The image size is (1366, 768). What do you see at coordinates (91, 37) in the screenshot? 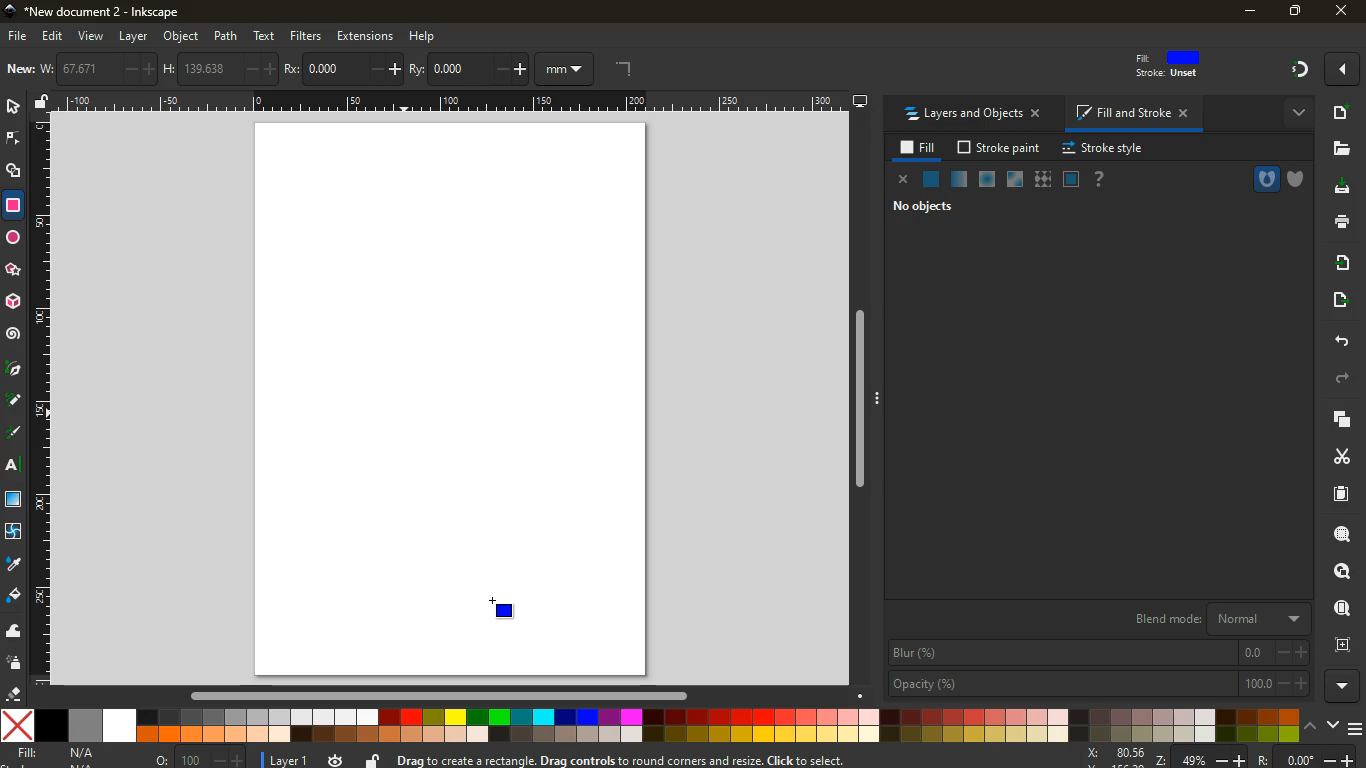
I see `view` at bounding box center [91, 37].